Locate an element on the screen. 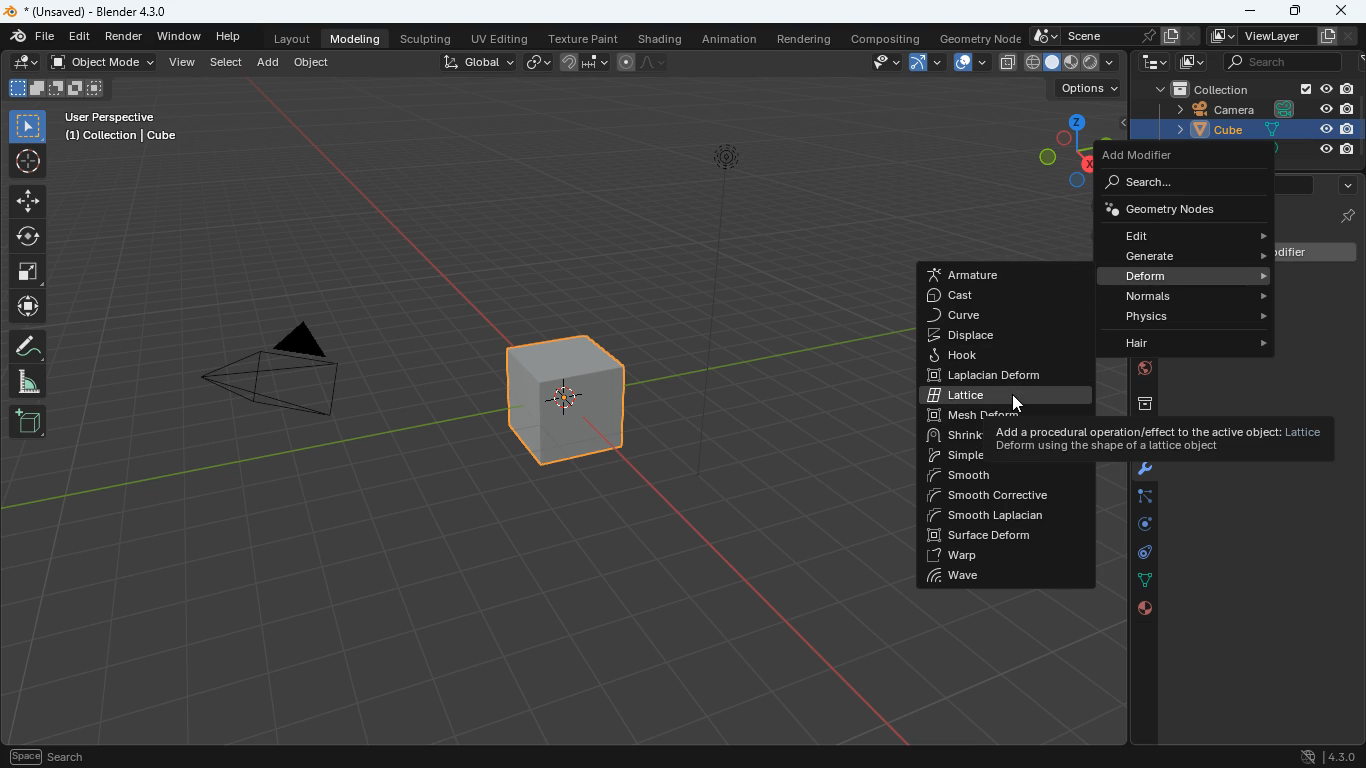  compositing is located at coordinates (891, 37).